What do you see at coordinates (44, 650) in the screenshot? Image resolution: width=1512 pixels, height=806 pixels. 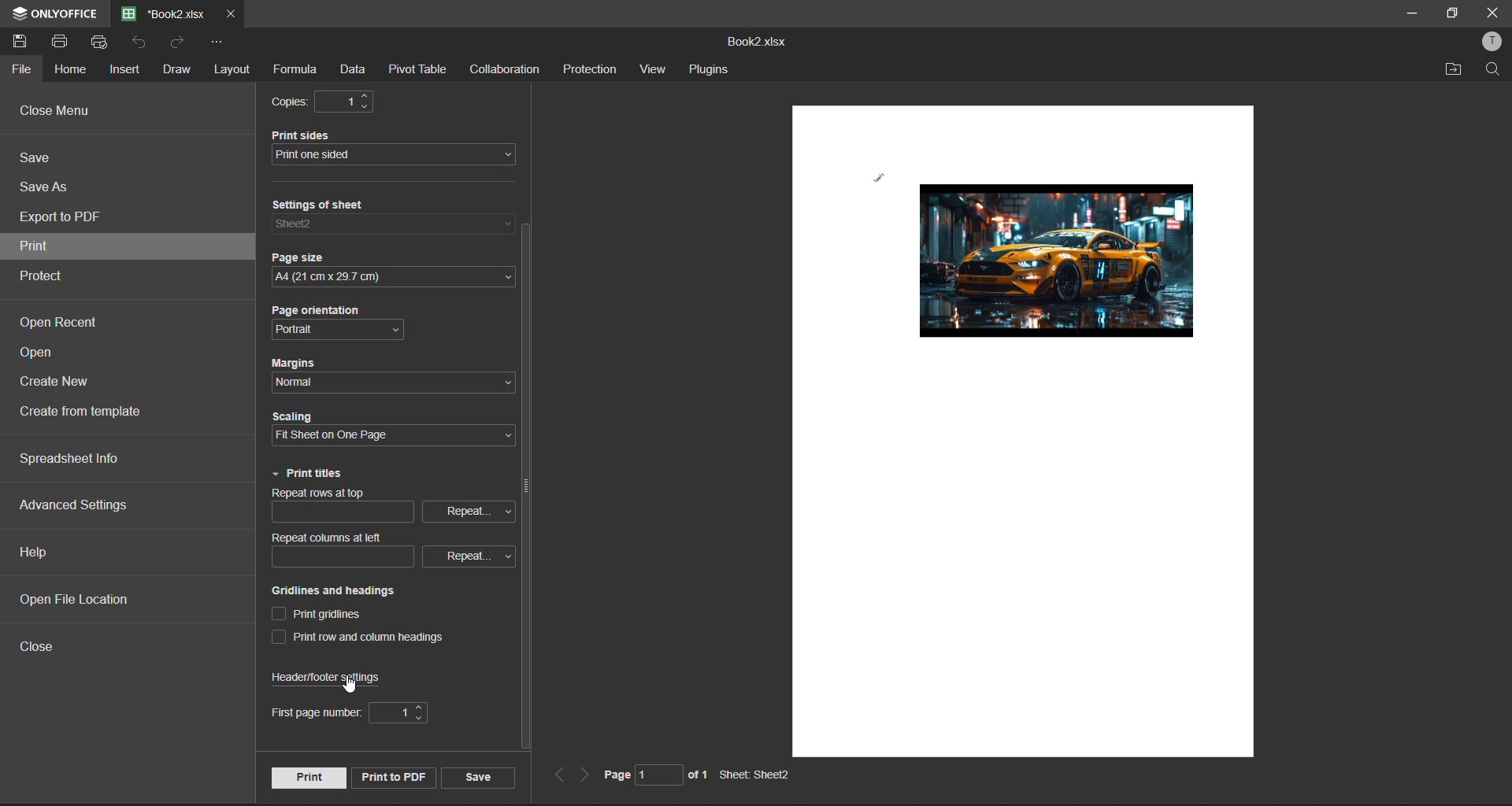 I see `close` at bounding box center [44, 650].